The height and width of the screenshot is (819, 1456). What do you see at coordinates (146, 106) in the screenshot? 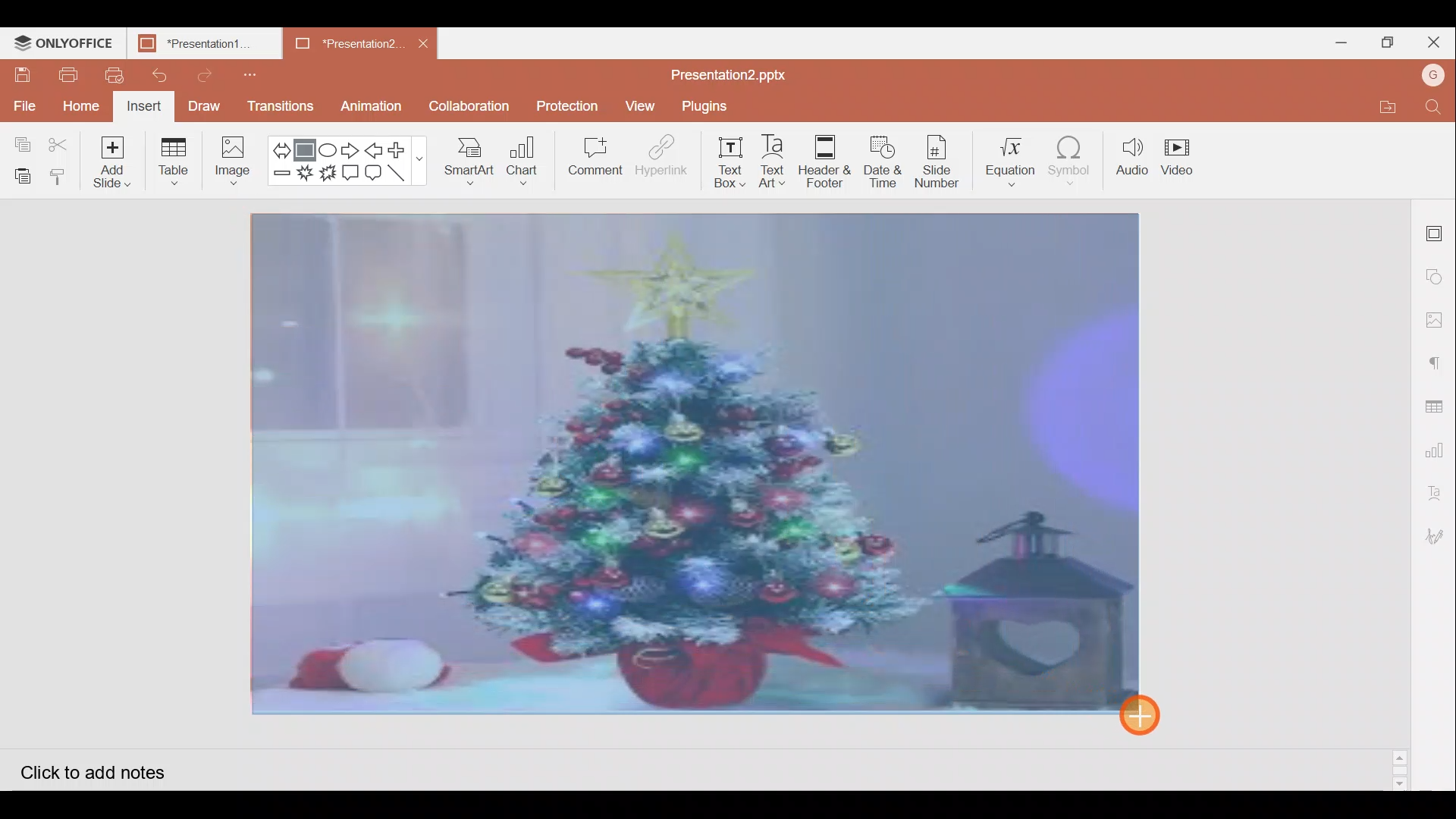
I see `Insert` at bounding box center [146, 106].